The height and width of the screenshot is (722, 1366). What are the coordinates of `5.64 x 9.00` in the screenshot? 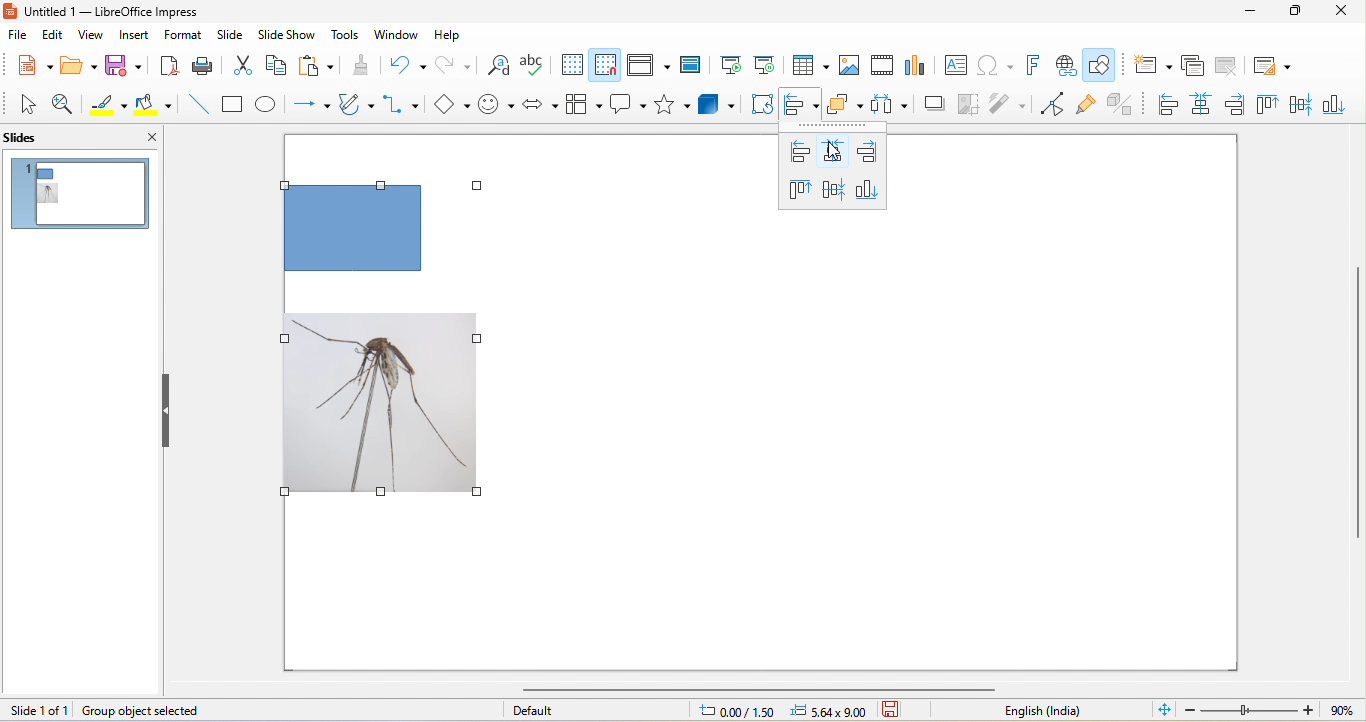 It's located at (832, 712).